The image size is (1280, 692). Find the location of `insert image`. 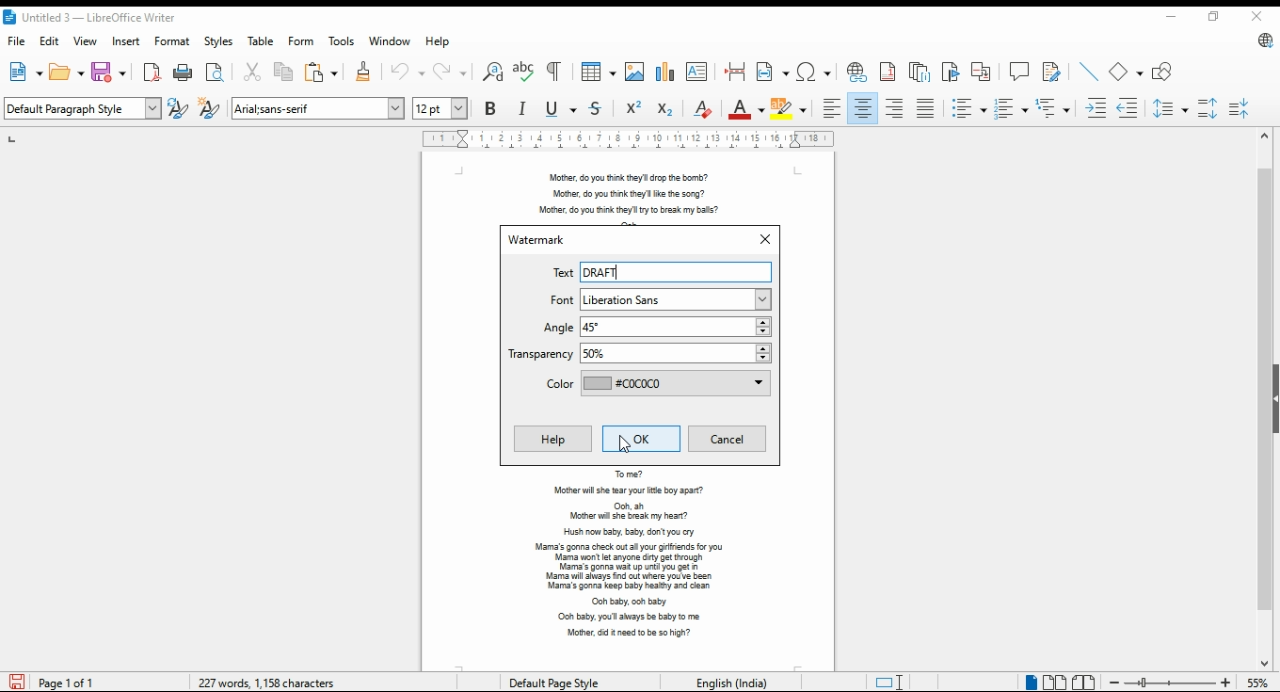

insert image is located at coordinates (636, 71).